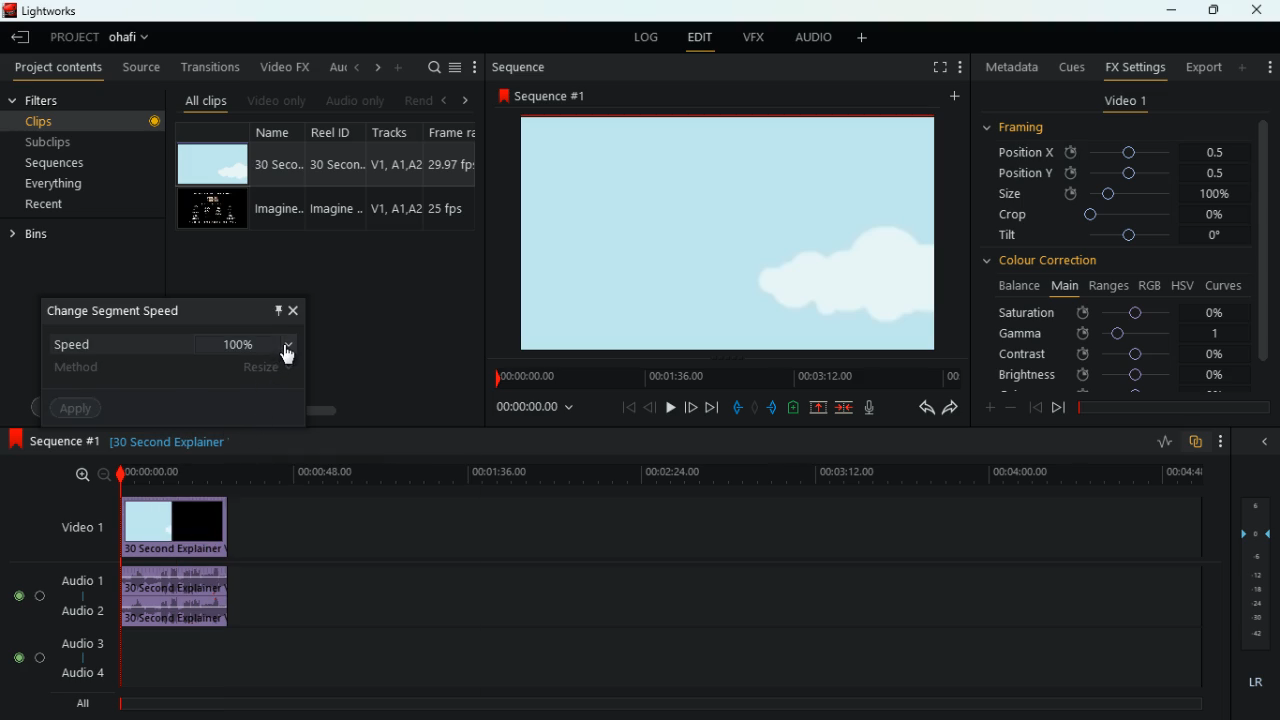 Image resolution: width=1280 pixels, height=720 pixels. Describe the element at coordinates (951, 409) in the screenshot. I see `forward` at that location.